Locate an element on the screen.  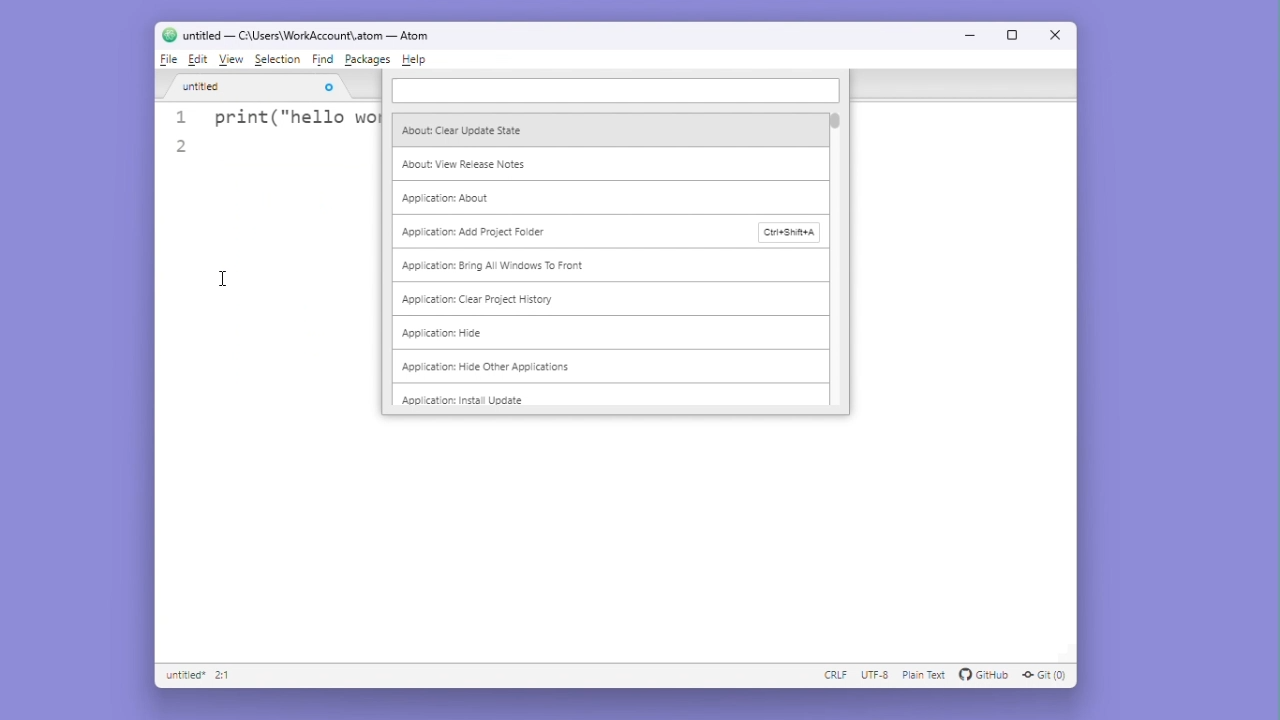
git (0) is located at coordinates (1047, 677).